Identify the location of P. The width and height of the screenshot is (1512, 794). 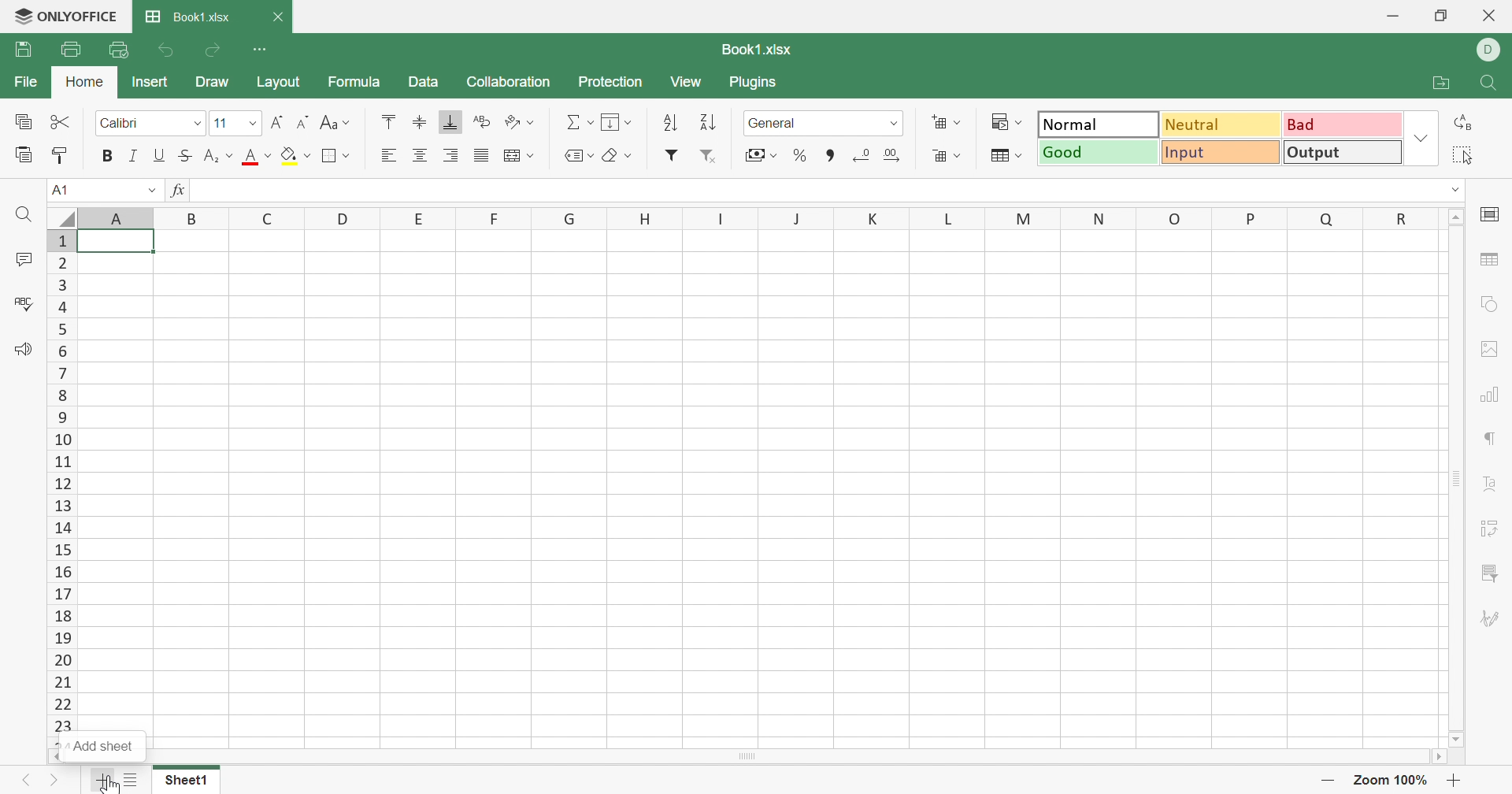
(1257, 217).